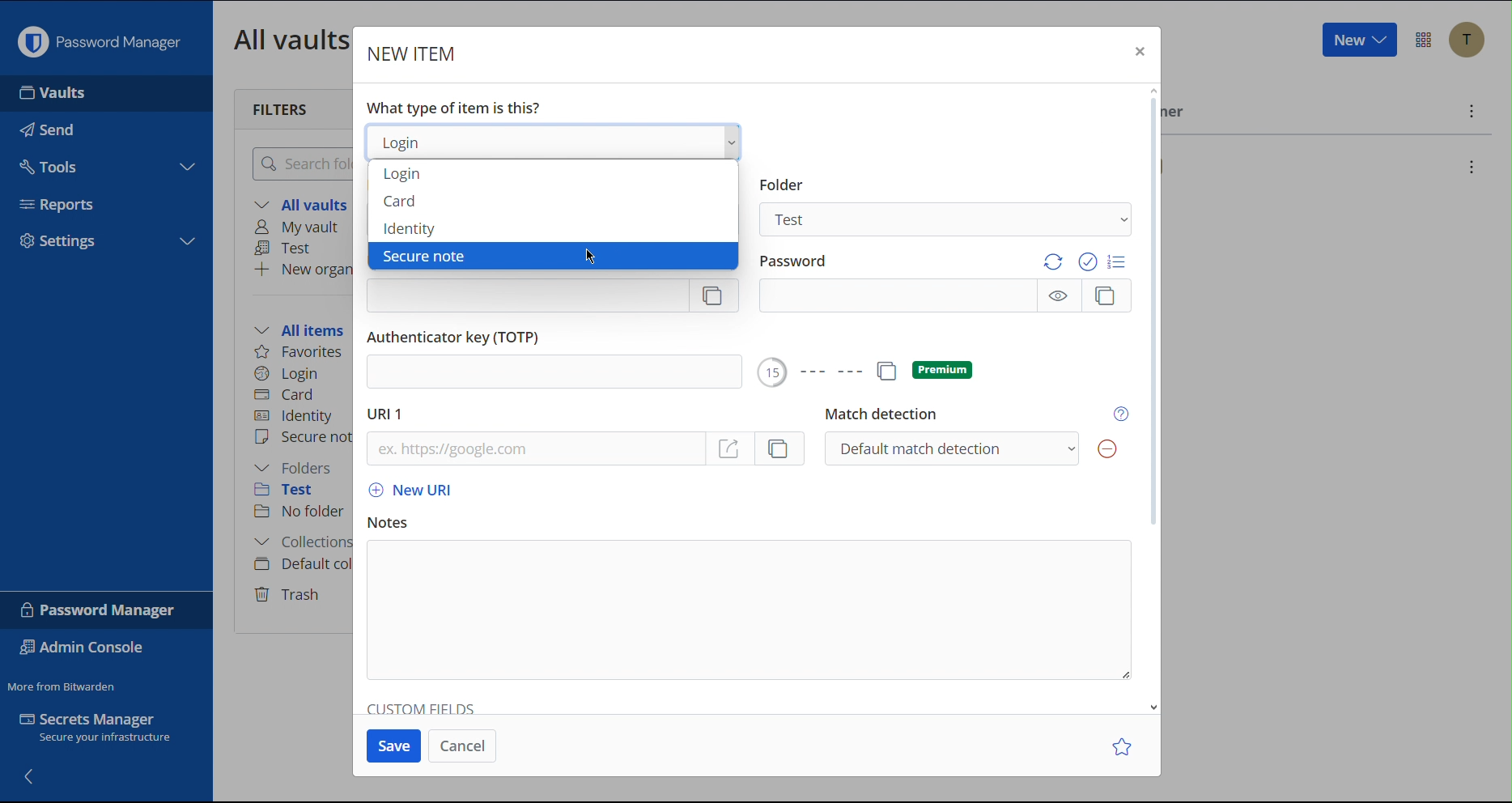  I want to click on Password Options, so click(1085, 261).